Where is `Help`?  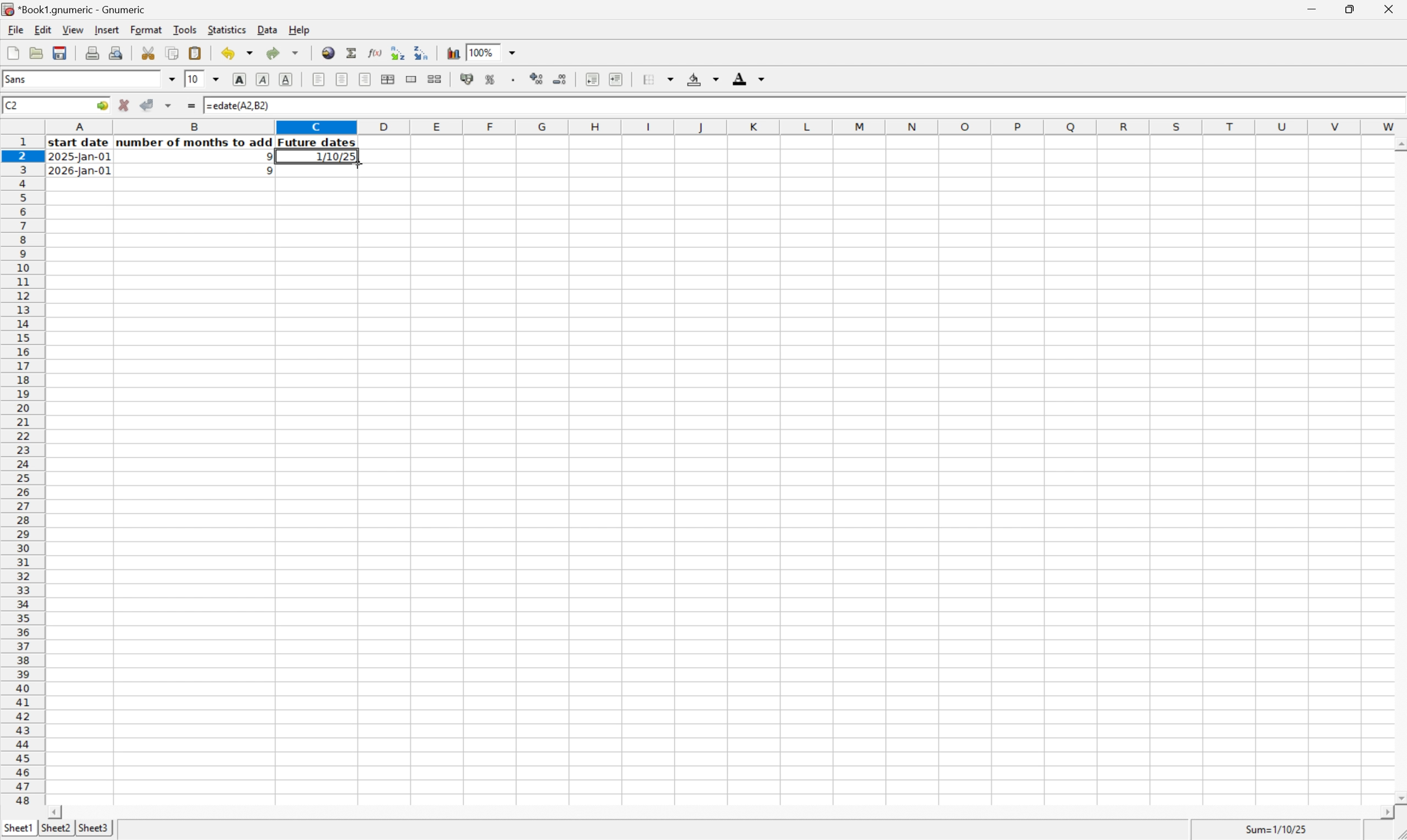 Help is located at coordinates (299, 29).